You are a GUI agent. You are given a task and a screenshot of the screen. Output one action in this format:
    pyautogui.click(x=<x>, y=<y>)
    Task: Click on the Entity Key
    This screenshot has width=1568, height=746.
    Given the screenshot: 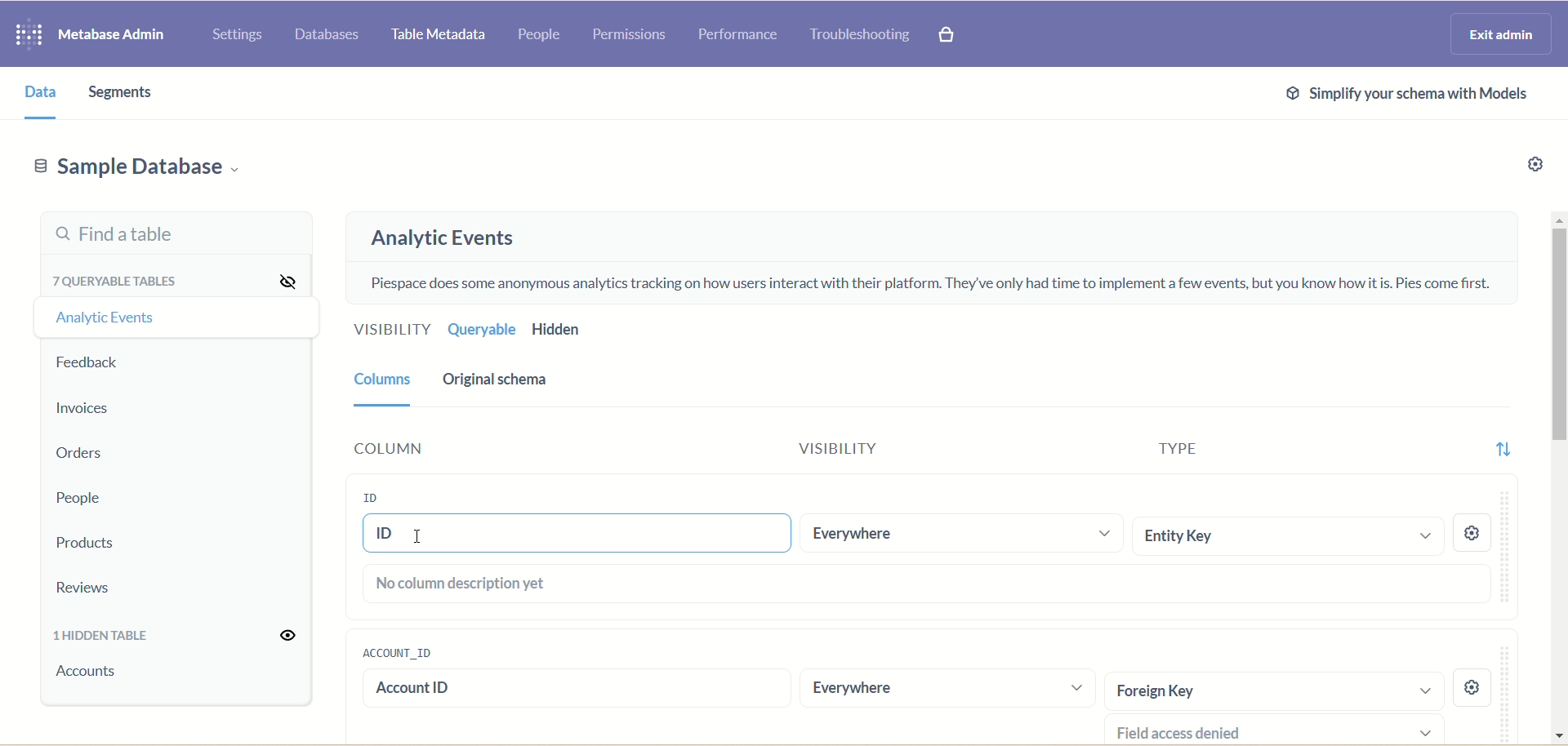 What is the action you would take?
    pyautogui.click(x=1287, y=537)
    